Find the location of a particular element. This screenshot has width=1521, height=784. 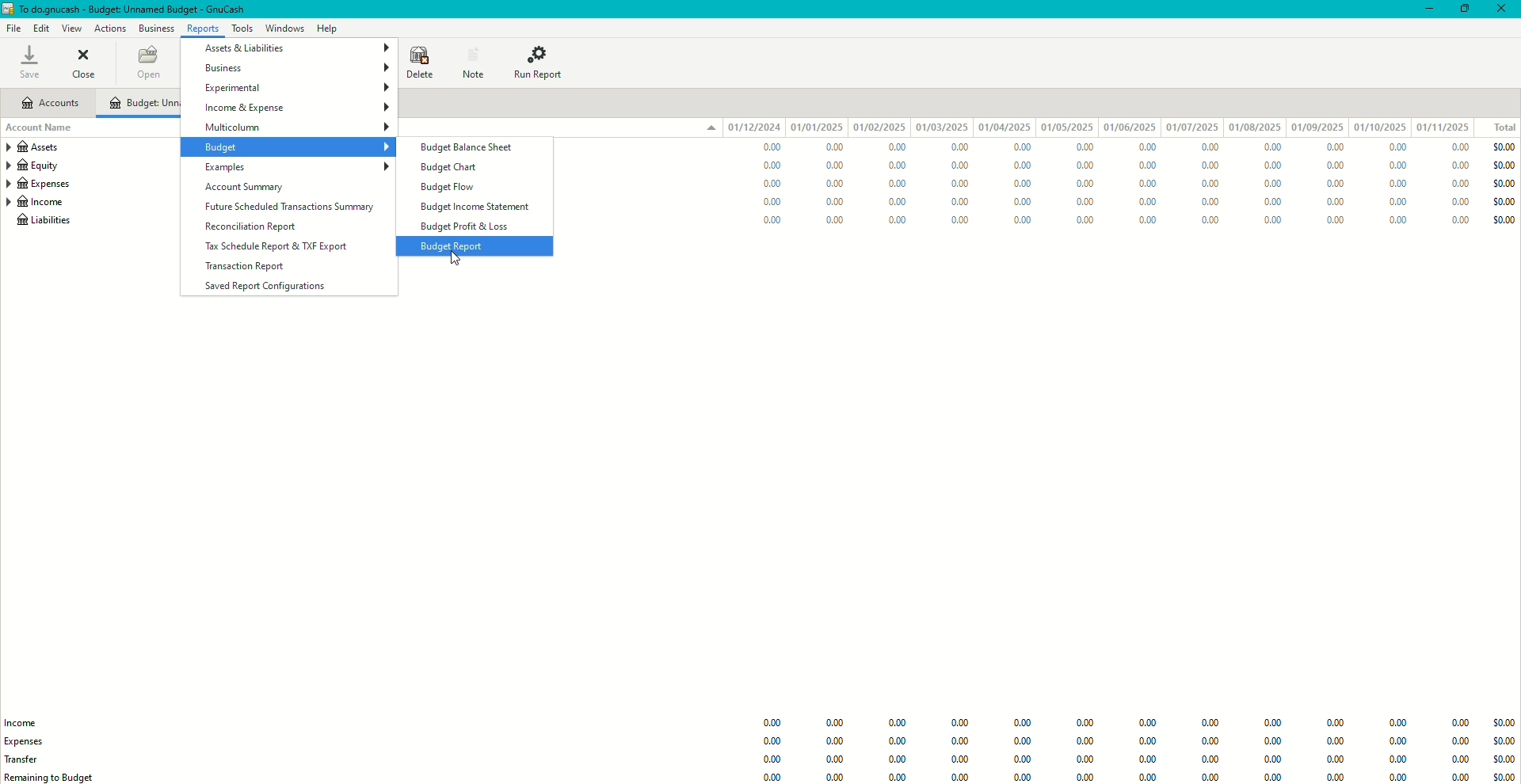

0.00 is located at coordinates (1024, 222).